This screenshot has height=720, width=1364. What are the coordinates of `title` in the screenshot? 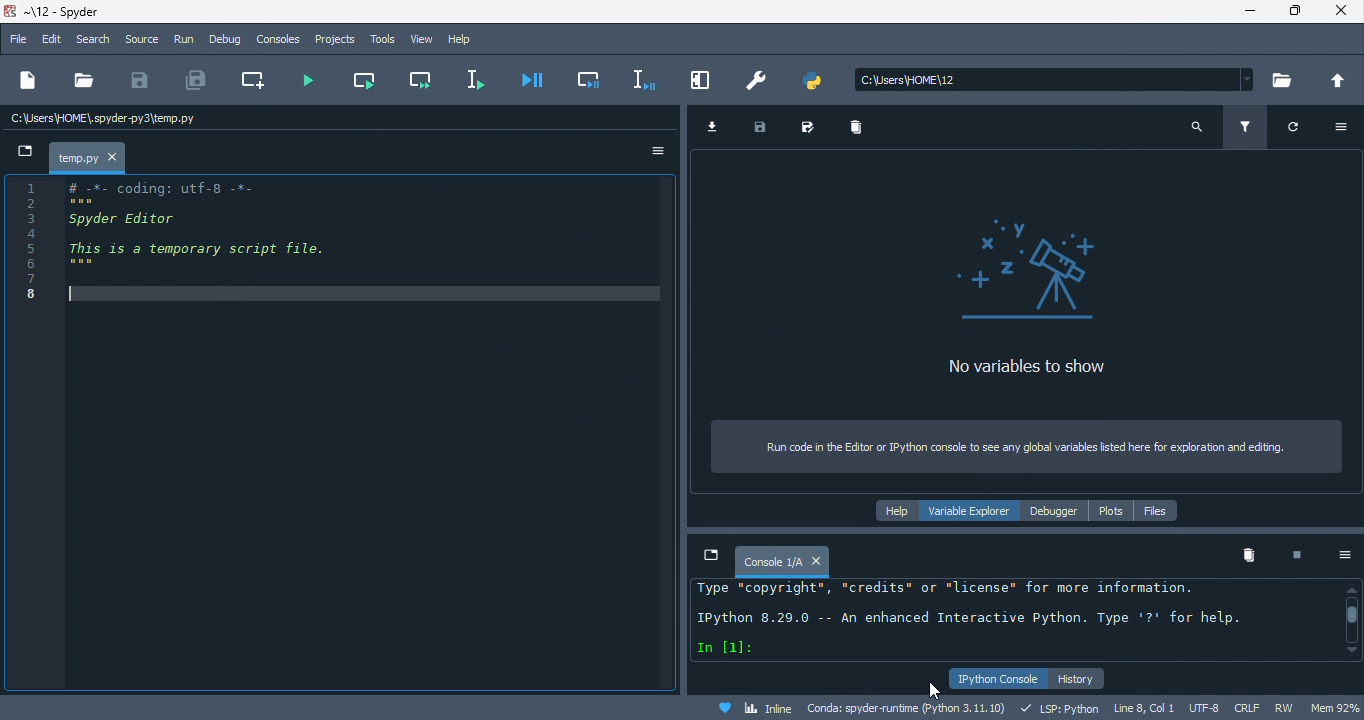 It's located at (62, 13).